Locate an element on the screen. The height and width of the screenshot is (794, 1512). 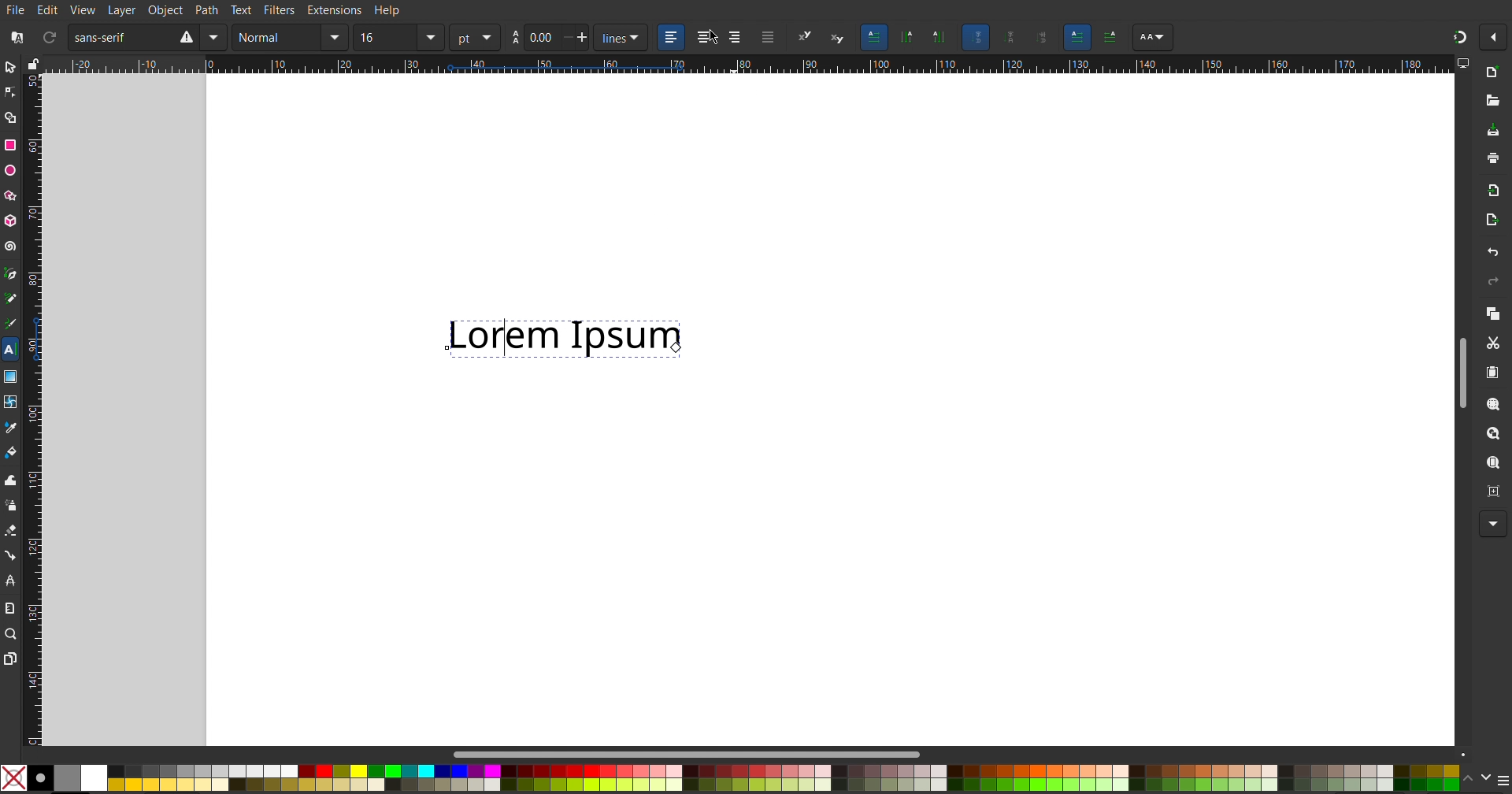
Layer is located at coordinates (124, 11).